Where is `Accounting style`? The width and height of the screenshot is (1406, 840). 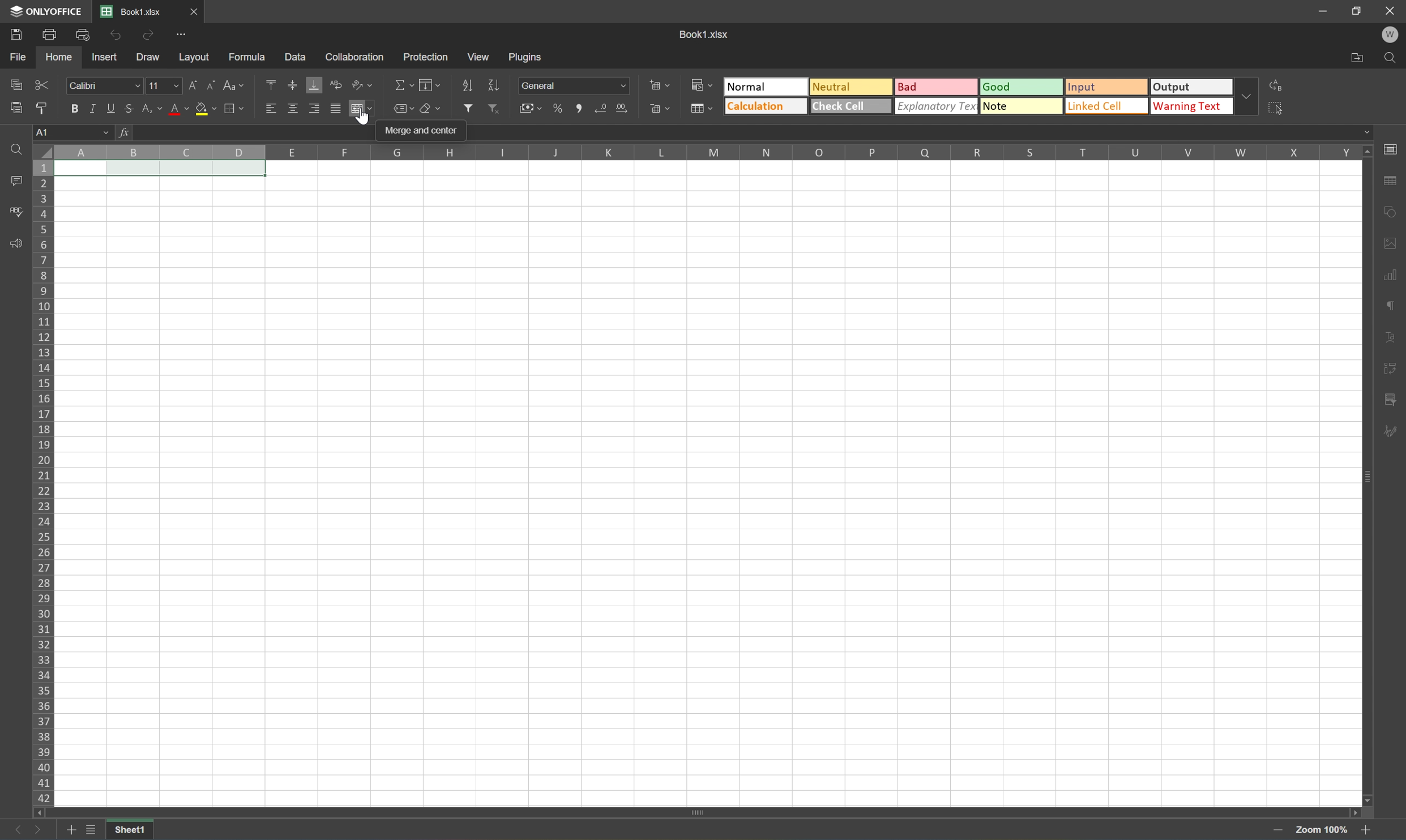
Accounting style is located at coordinates (533, 108).